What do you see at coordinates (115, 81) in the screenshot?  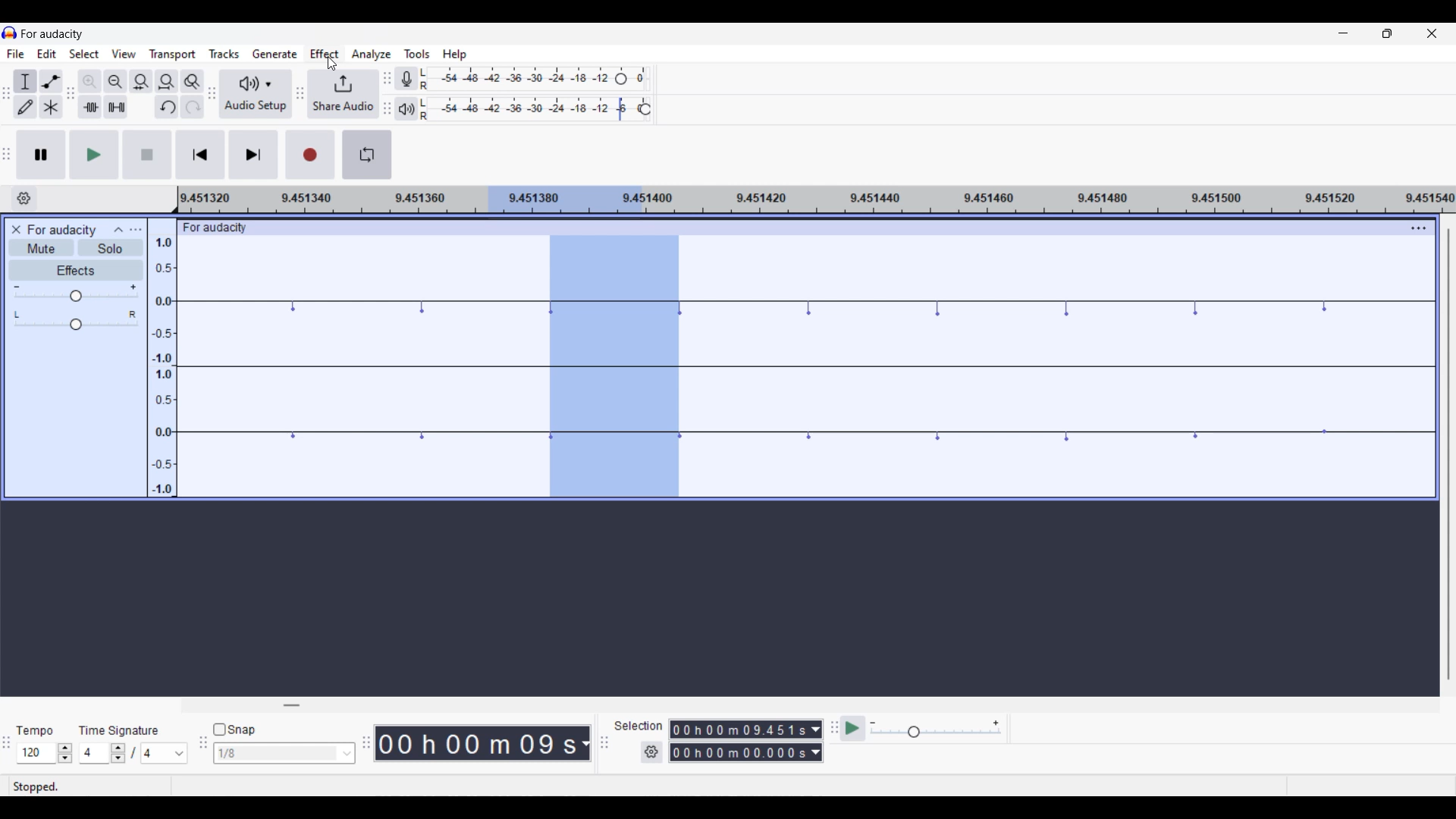 I see `Zoom out` at bounding box center [115, 81].